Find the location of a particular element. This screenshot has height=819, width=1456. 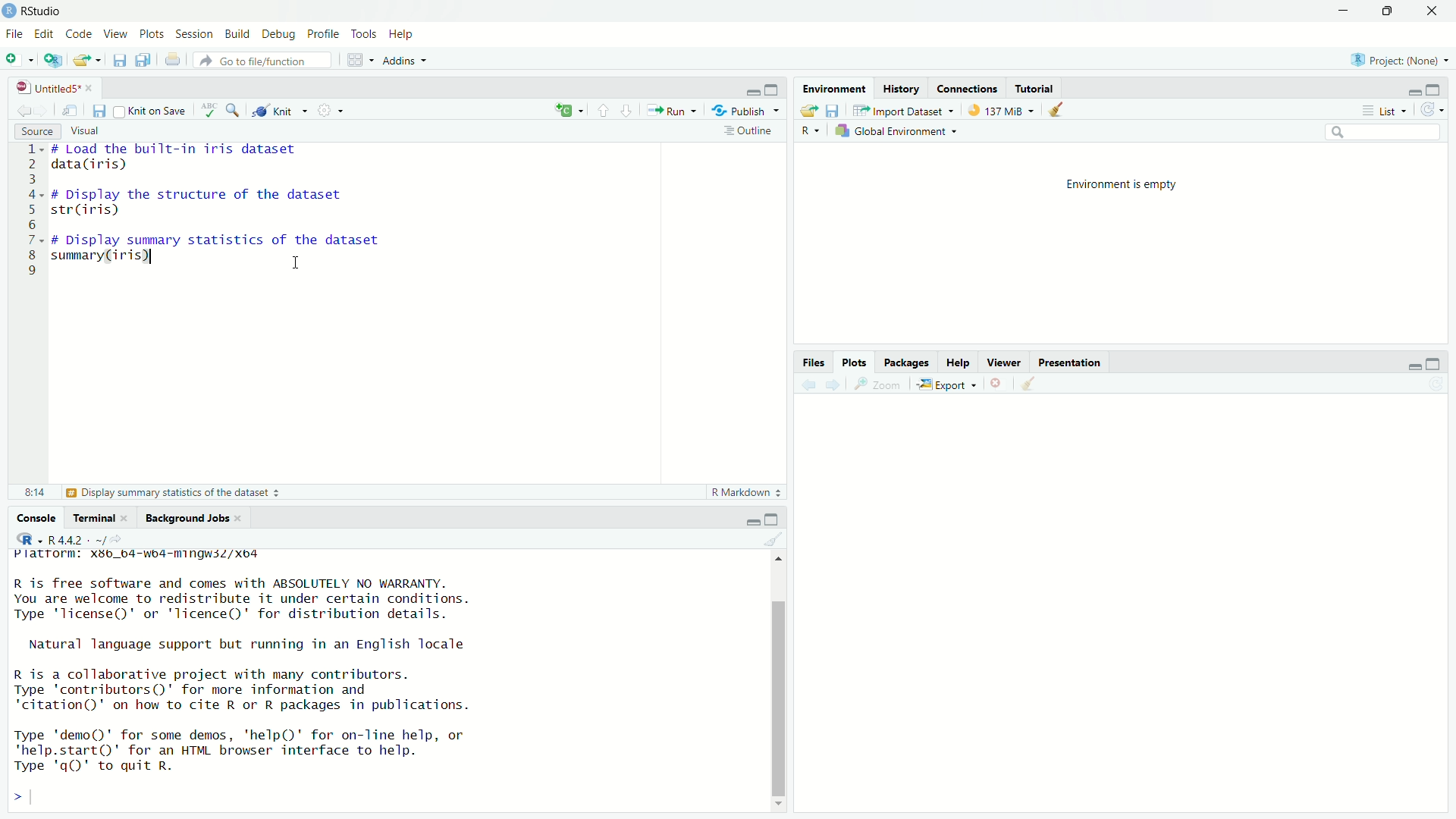

Hide is located at coordinates (751, 92).